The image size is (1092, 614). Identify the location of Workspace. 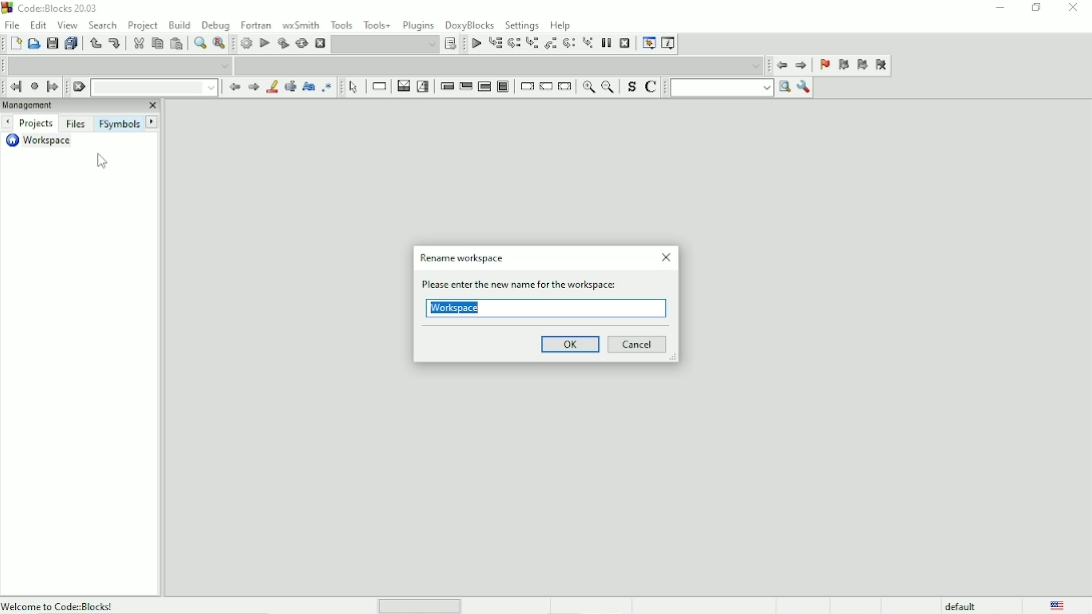
(45, 143).